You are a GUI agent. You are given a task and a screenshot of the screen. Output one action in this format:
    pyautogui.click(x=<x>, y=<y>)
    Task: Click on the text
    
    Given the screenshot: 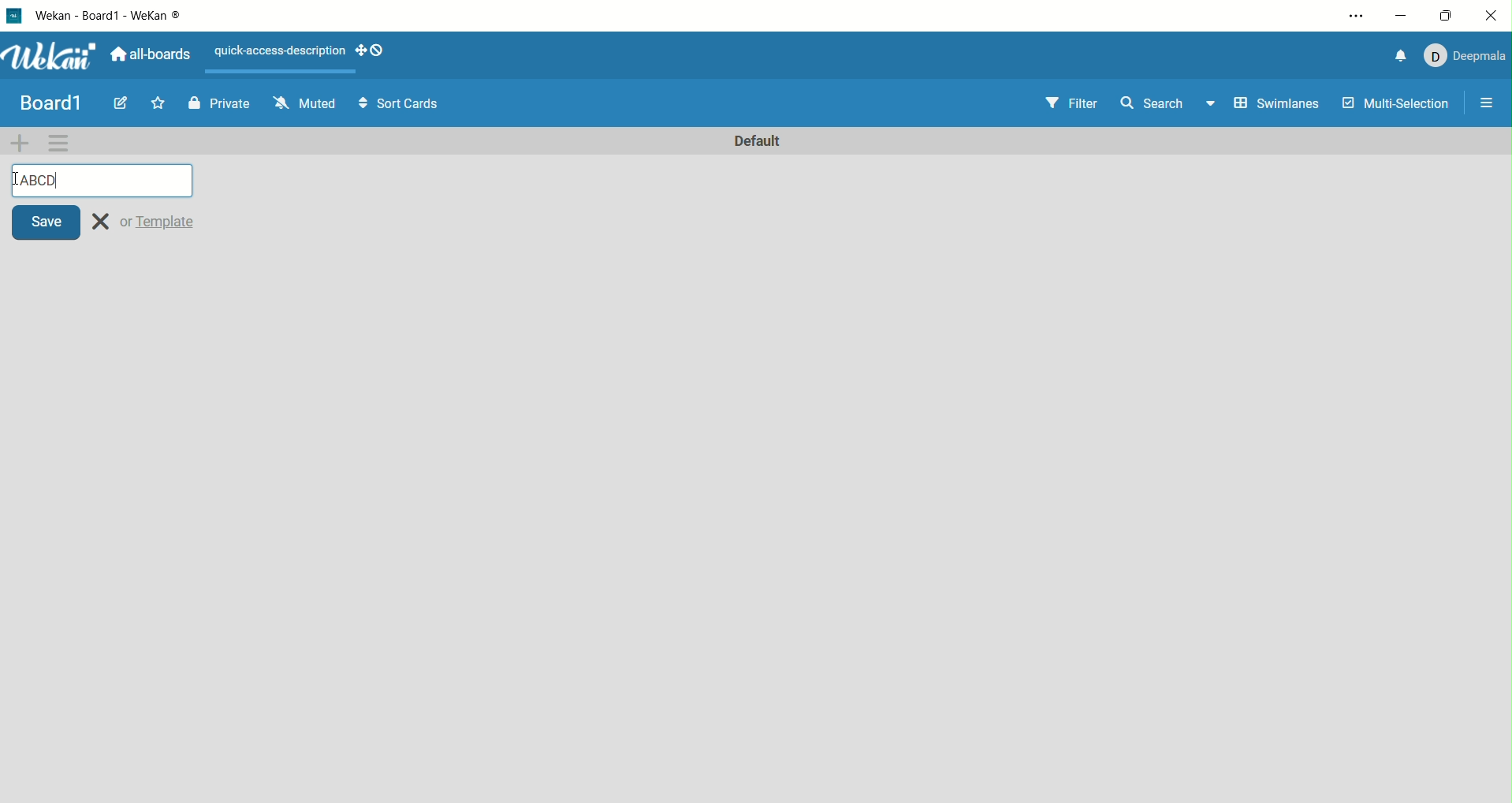 What is the action you would take?
    pyautogui.click(x=274, y=51)
    